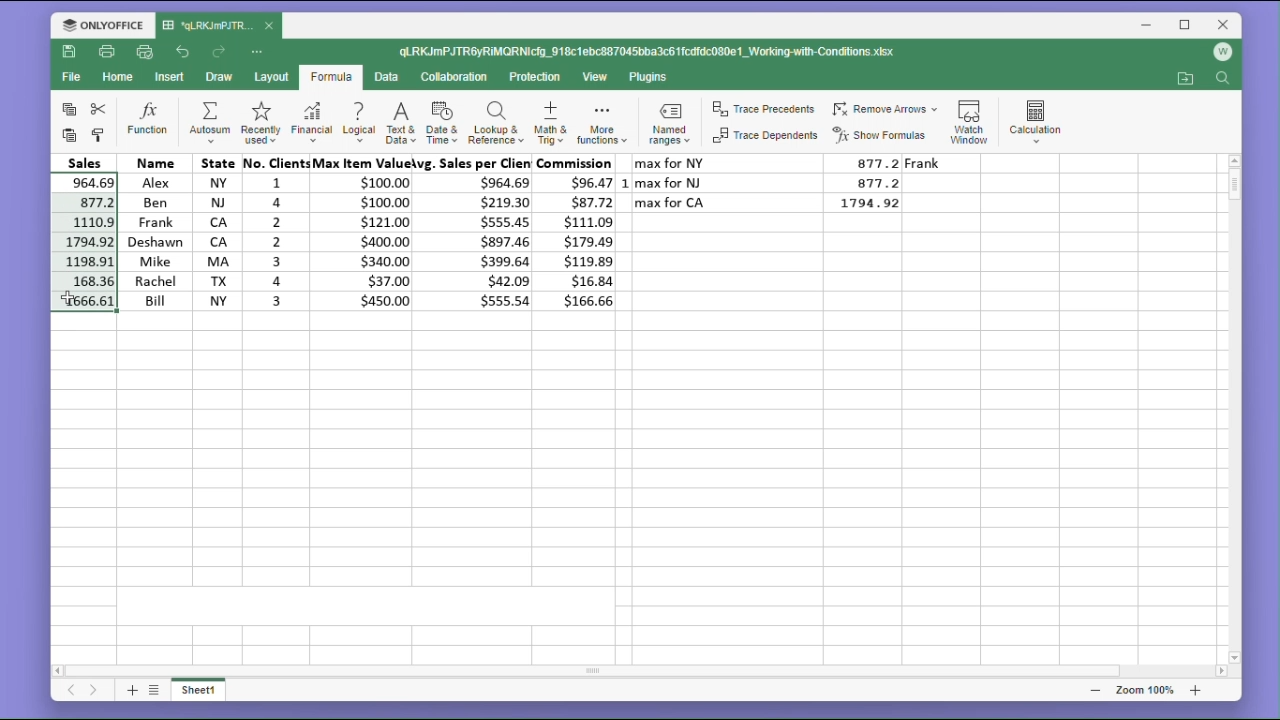 This screenshot has width=1280, height=720. I want to click on zoom in, so click(1195, 690).